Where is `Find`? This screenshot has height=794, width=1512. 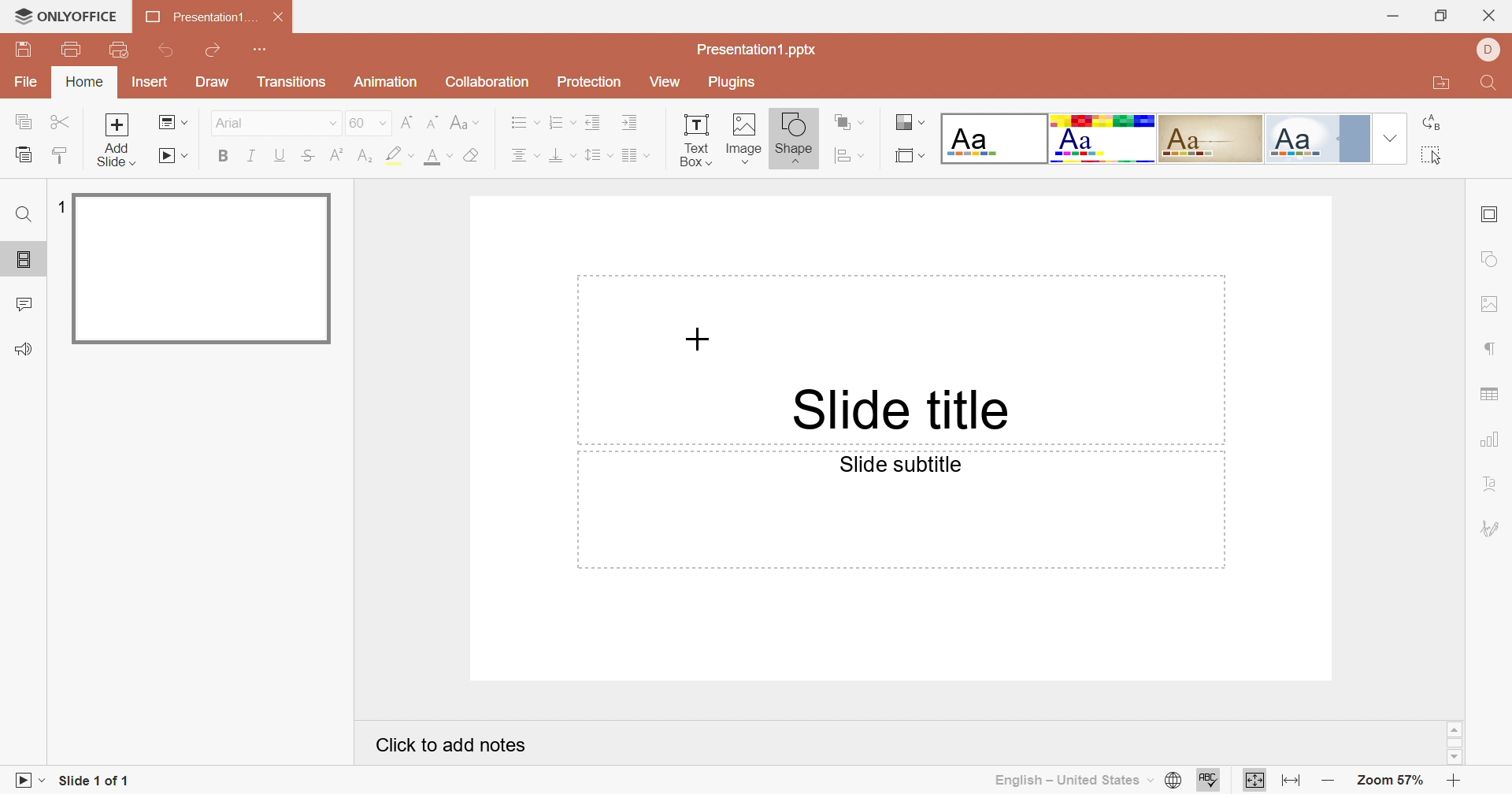
Find is located at coordinates (1489, 84).